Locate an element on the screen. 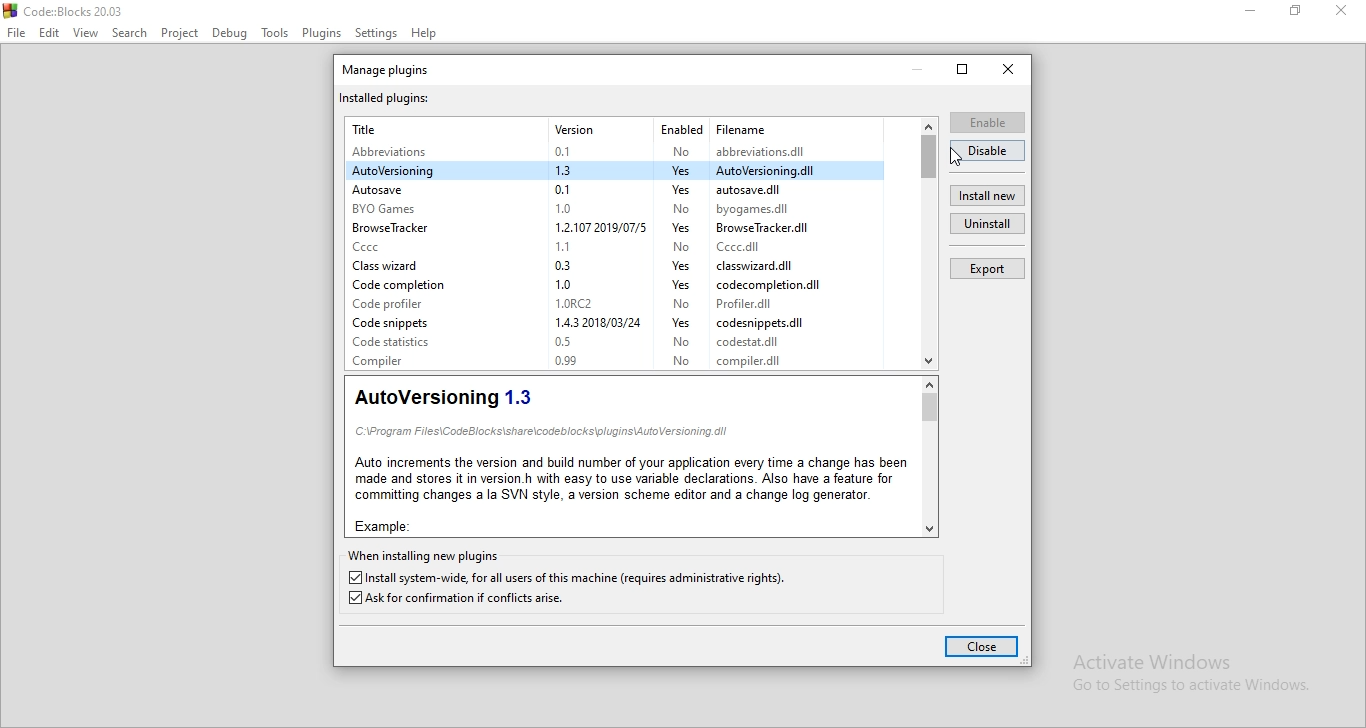 This screenshot has width=1366, height=728. scroll up is located at coordinates (928, 384).